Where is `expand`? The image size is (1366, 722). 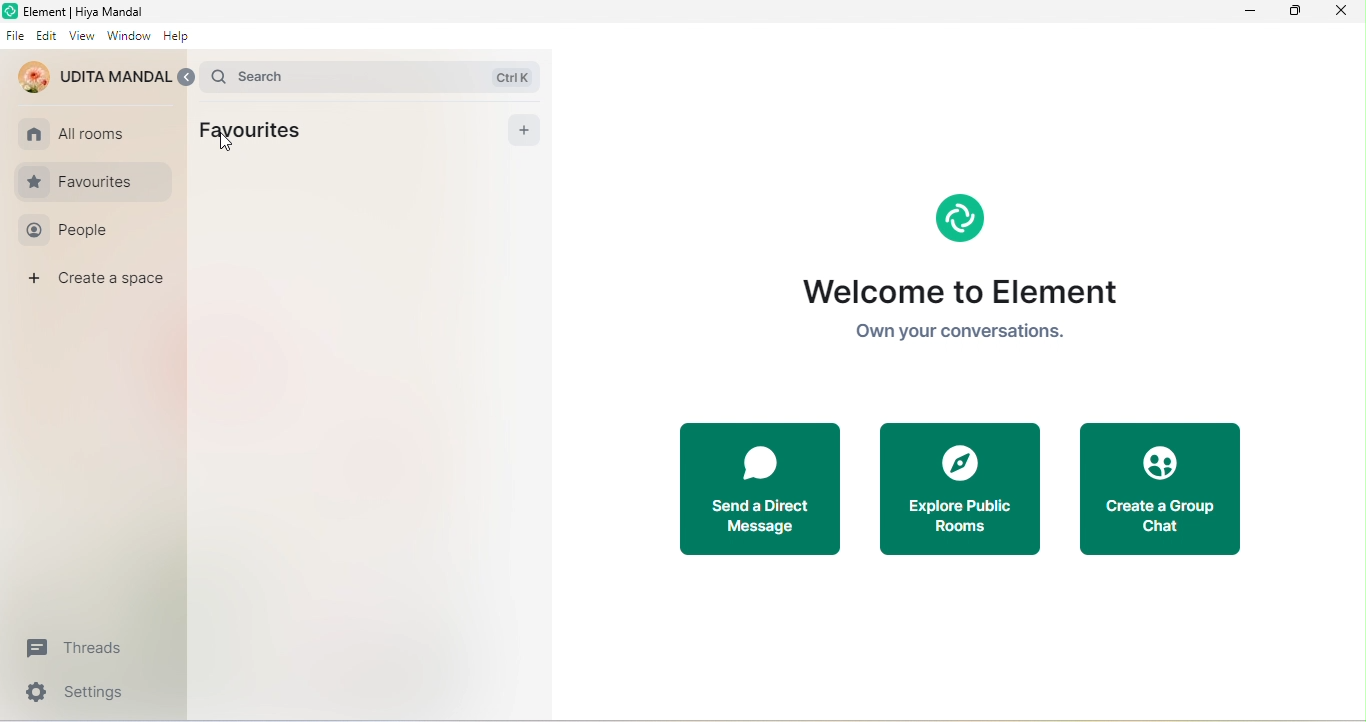
expand is located at coordinates (186, 77).